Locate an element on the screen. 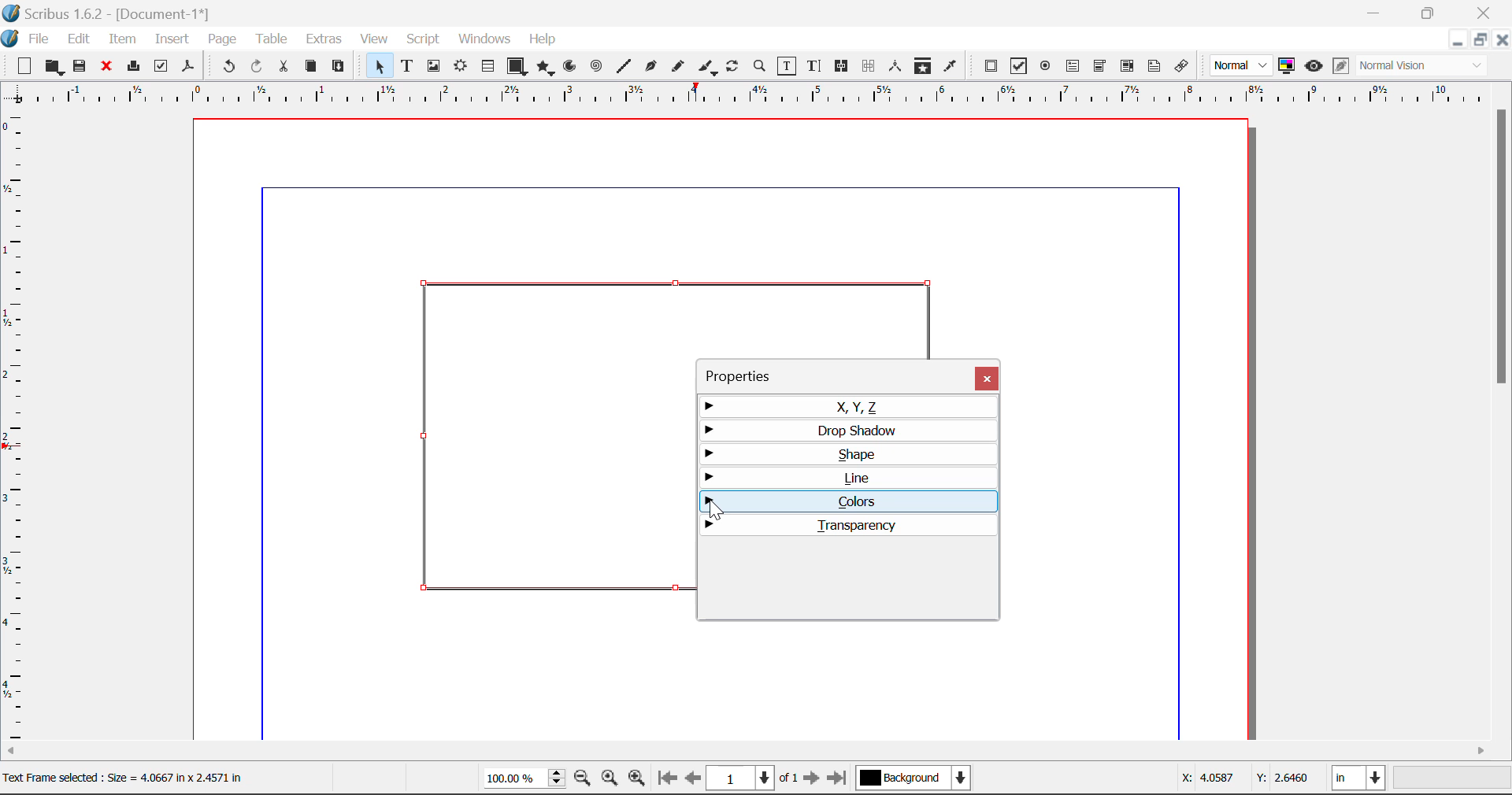  Edit in Preview Mode is located at coordinates (1340, 68).